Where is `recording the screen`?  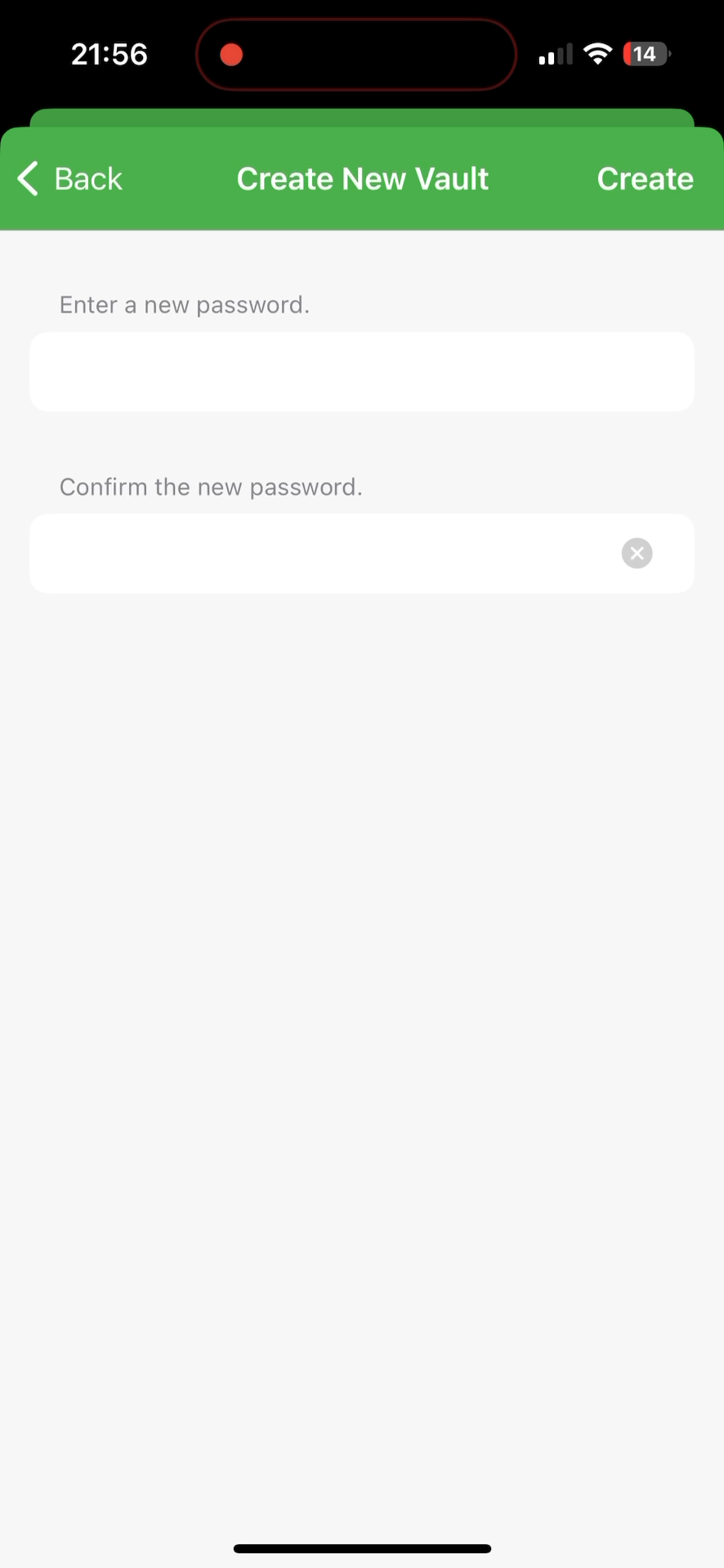 recording the screen is located at coordinates (231, 51).